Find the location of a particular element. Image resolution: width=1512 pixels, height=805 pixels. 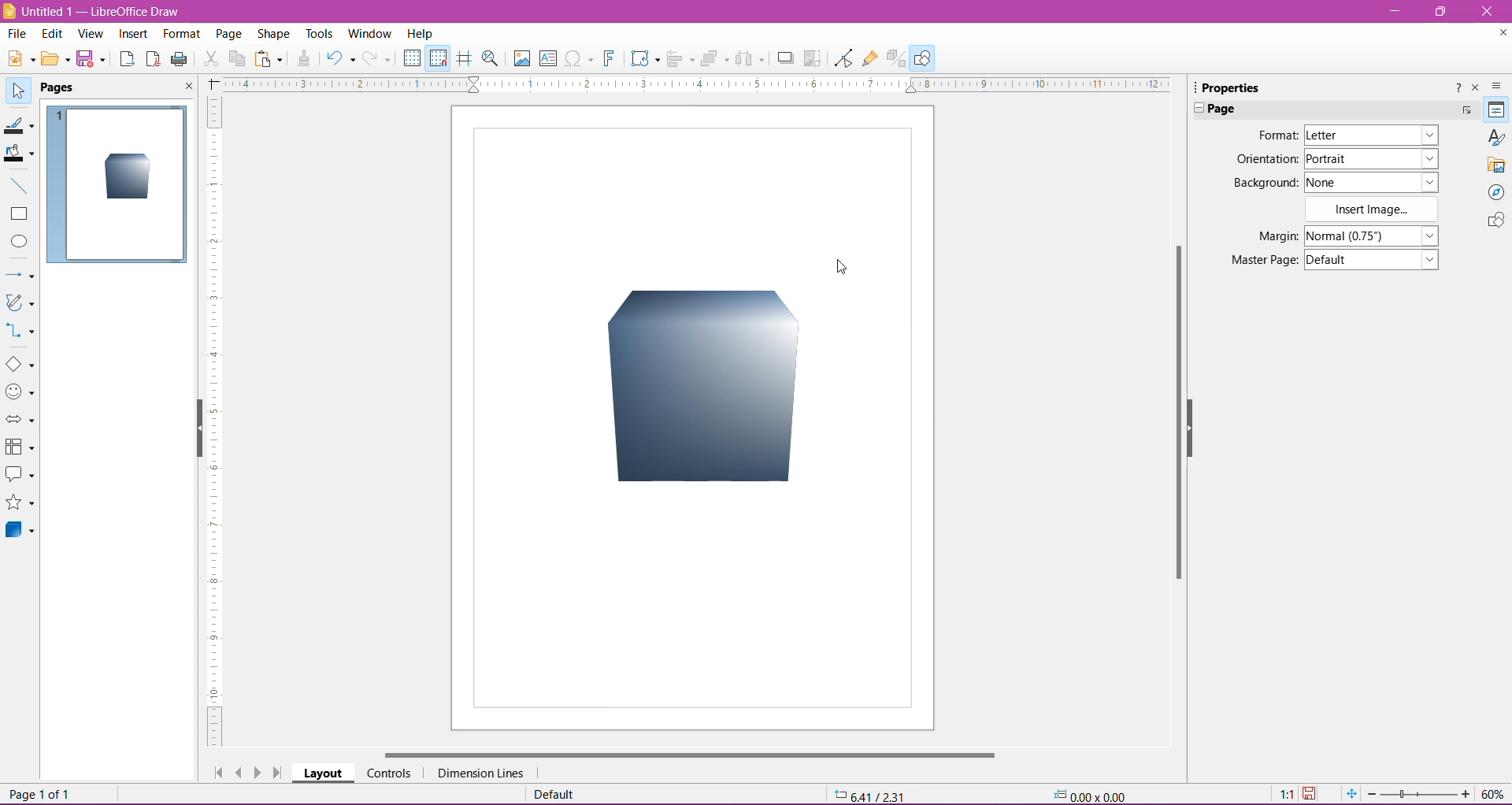

Zoom In is located at coordinates (1466, 793).